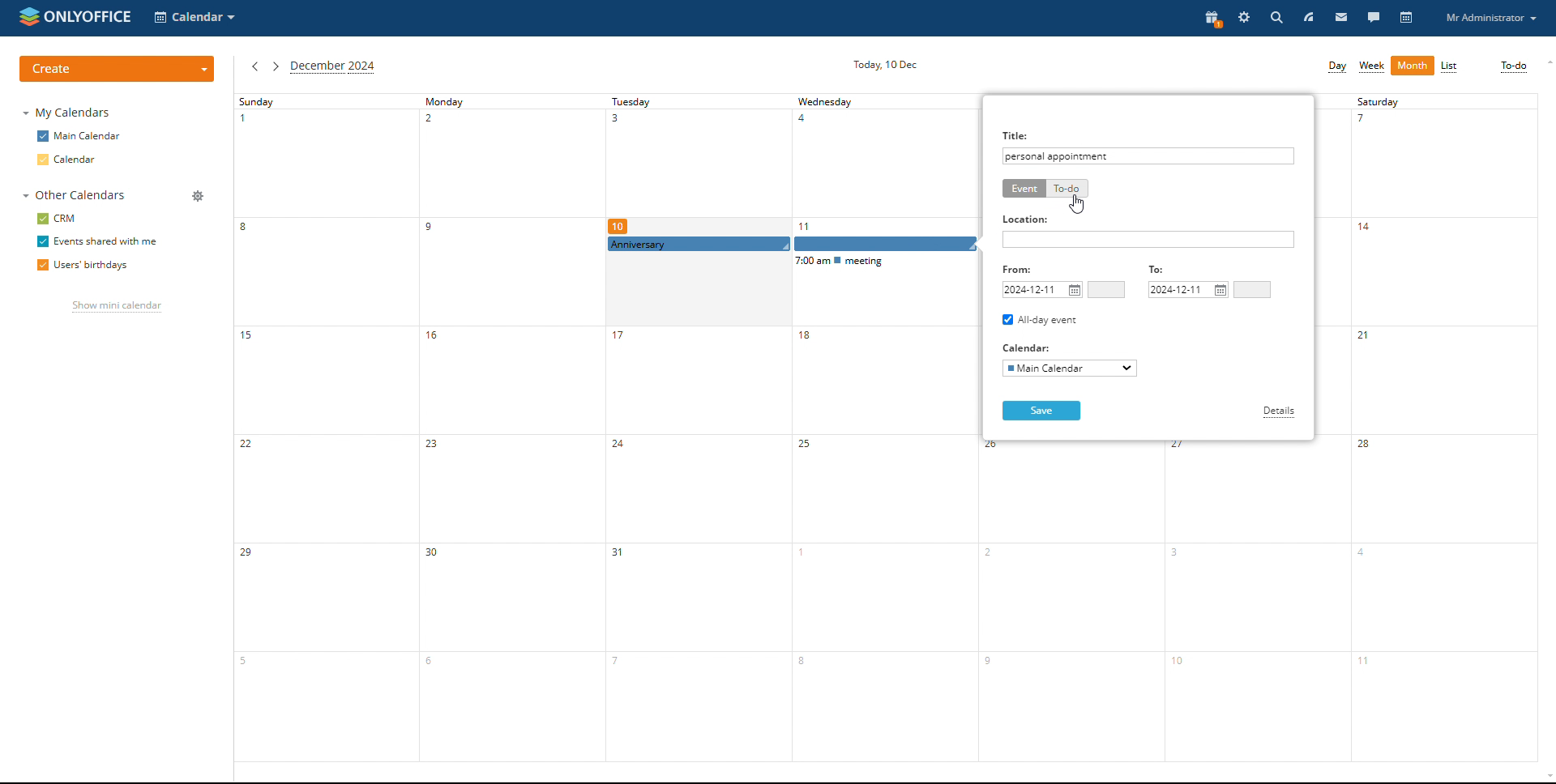 This screenshot has width=1556, height=784. Describe the element at coordinates (885, 65) in the screenshot. I see `current date` at that location.